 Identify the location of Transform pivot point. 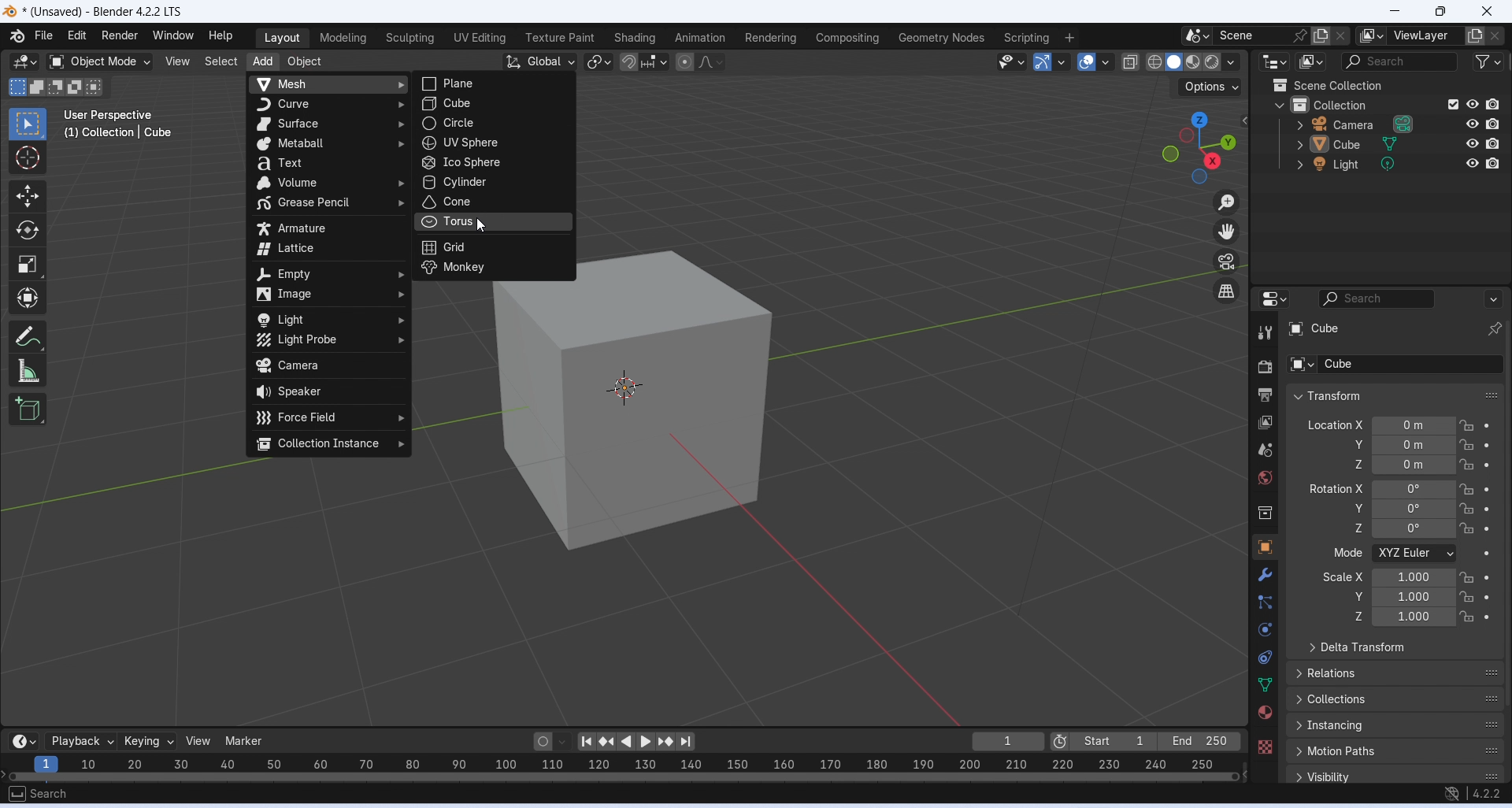
(598, 61).